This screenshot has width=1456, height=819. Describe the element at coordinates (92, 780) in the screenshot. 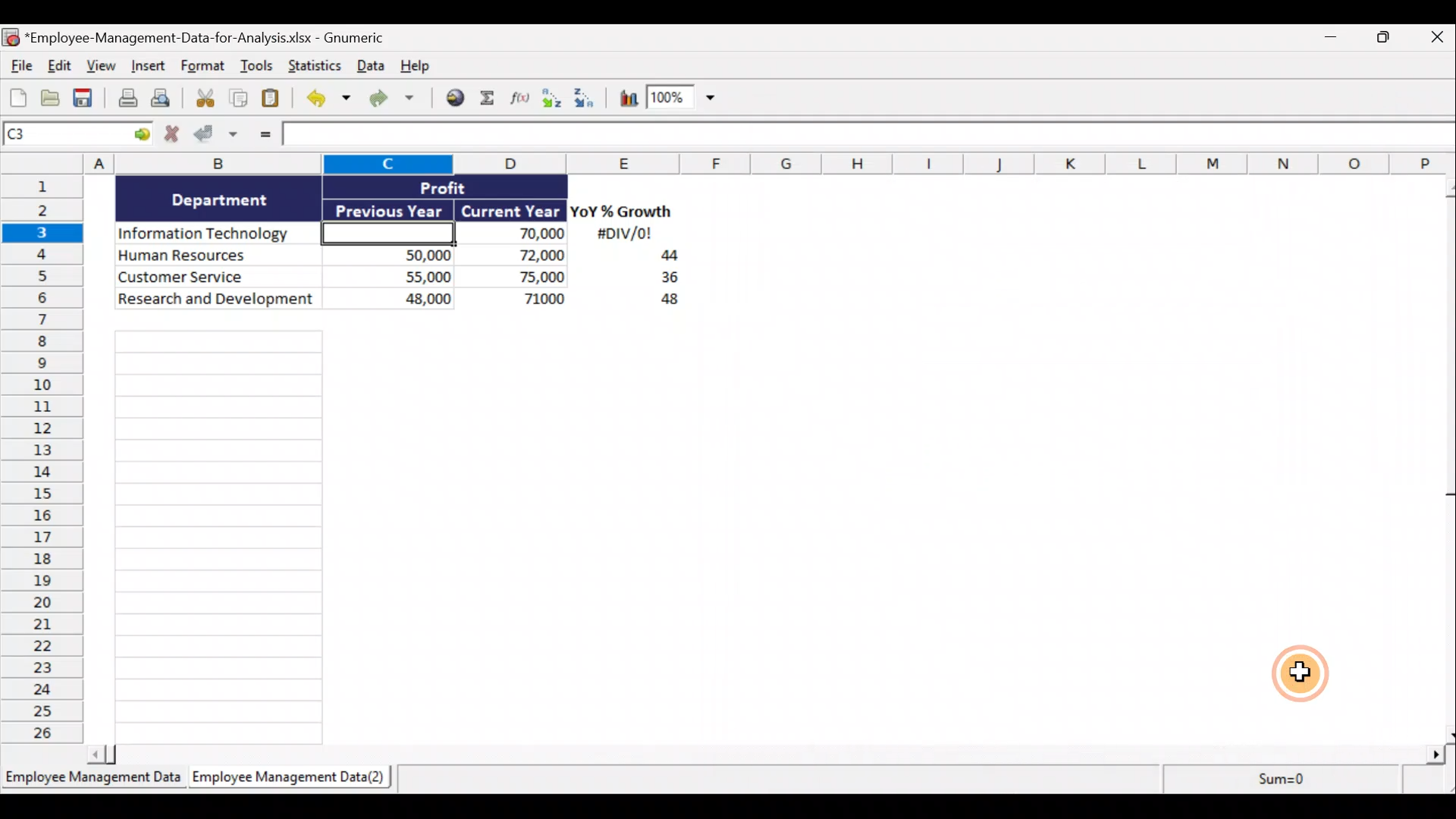

I see `Employee Management Data` at that location.